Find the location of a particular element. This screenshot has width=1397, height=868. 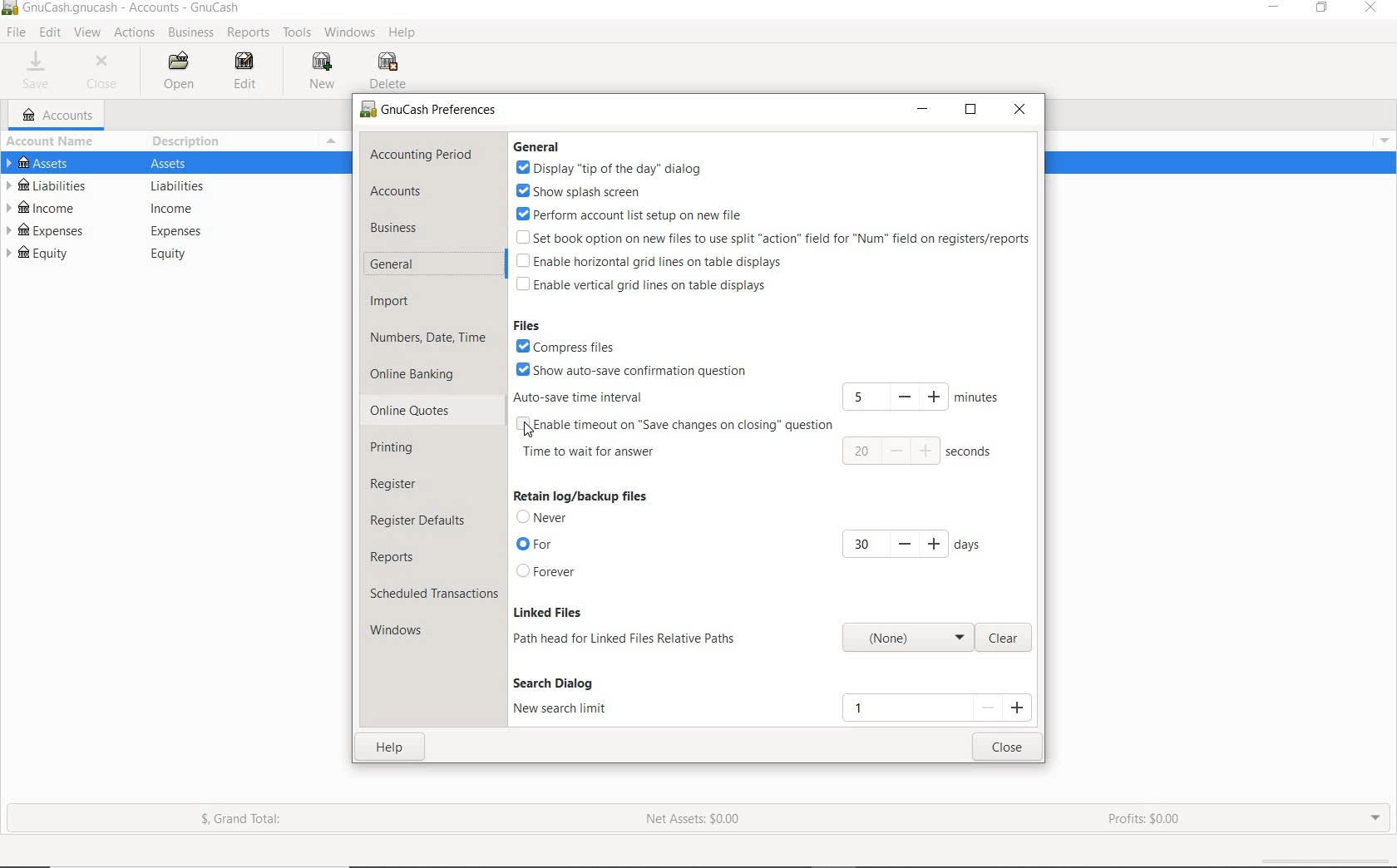

EXPAND is located at coordinates (1376, 820).